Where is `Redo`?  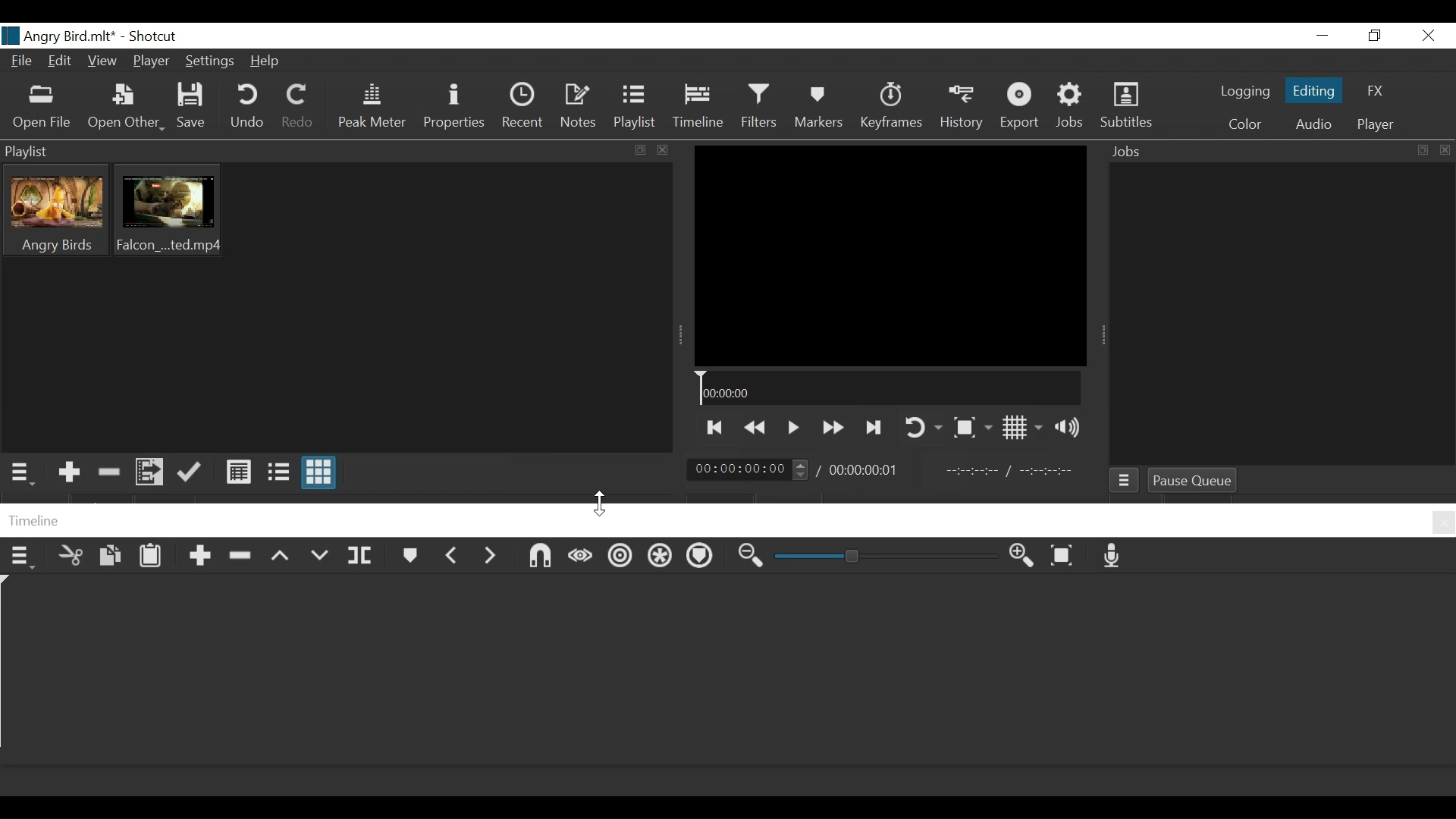 Redo is located at coordinates (299, 107).